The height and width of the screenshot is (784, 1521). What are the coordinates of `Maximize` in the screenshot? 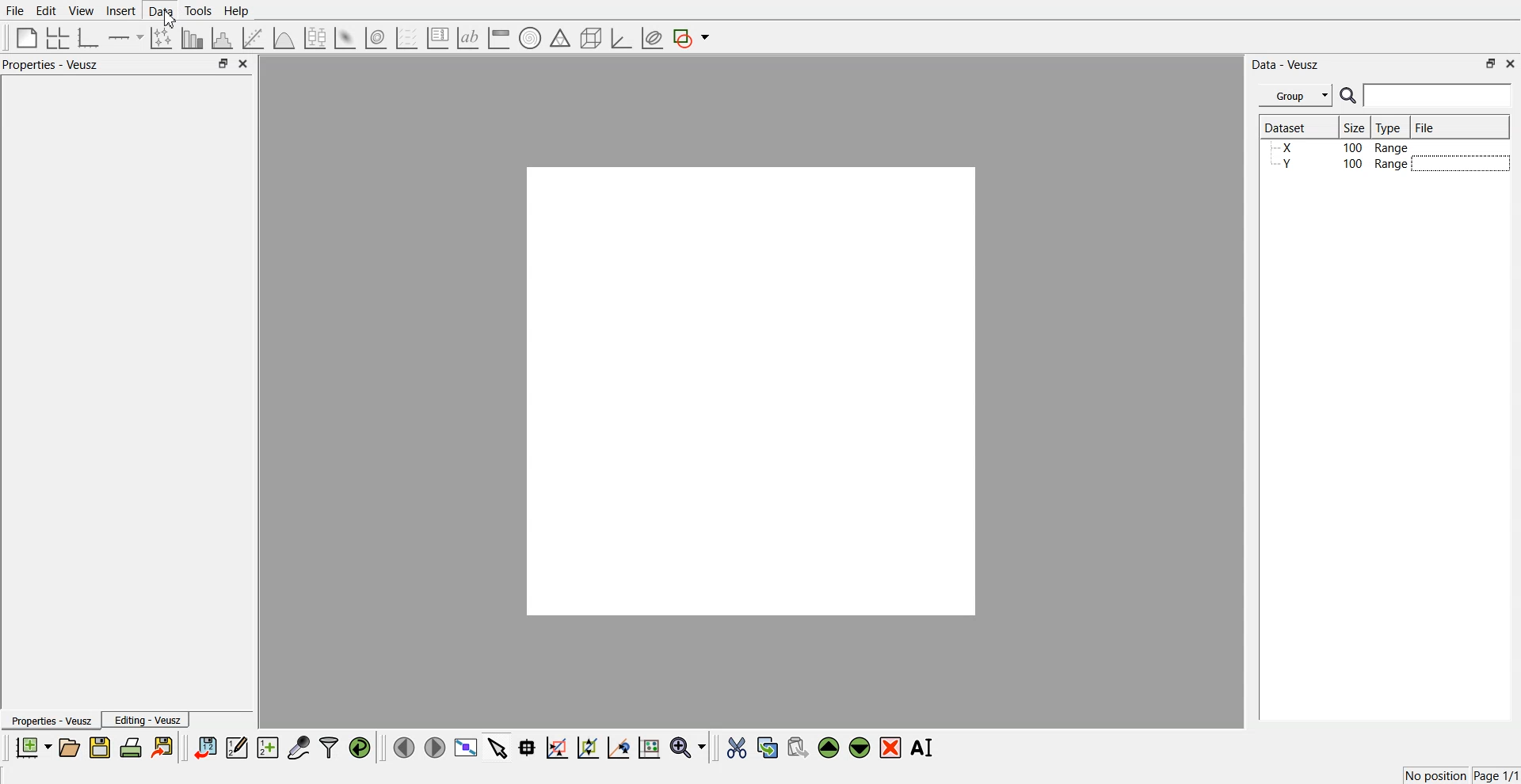 It's located at (1491, 63).